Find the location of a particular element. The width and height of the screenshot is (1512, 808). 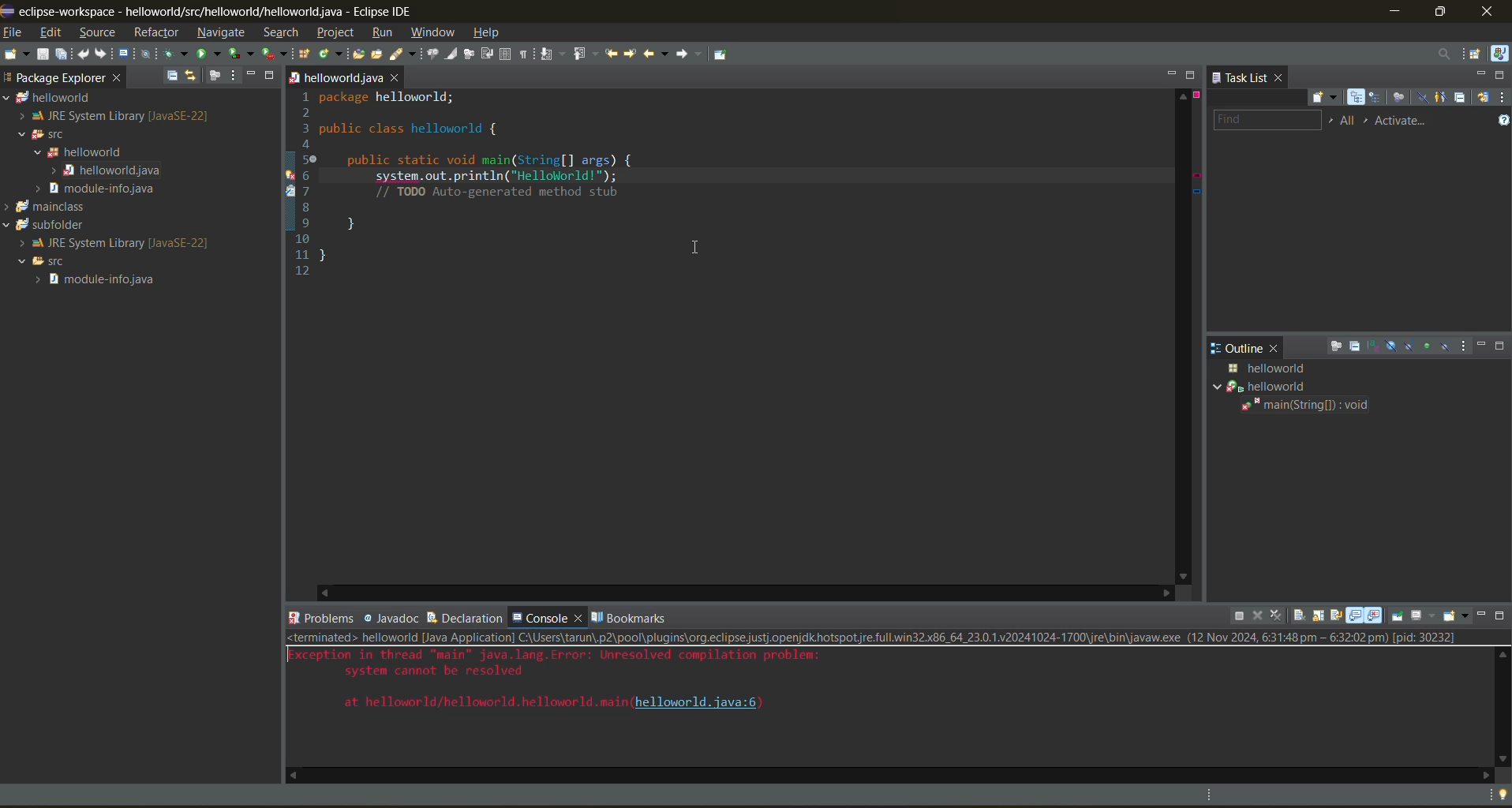

helloworld is located at coordinates (84, 100).